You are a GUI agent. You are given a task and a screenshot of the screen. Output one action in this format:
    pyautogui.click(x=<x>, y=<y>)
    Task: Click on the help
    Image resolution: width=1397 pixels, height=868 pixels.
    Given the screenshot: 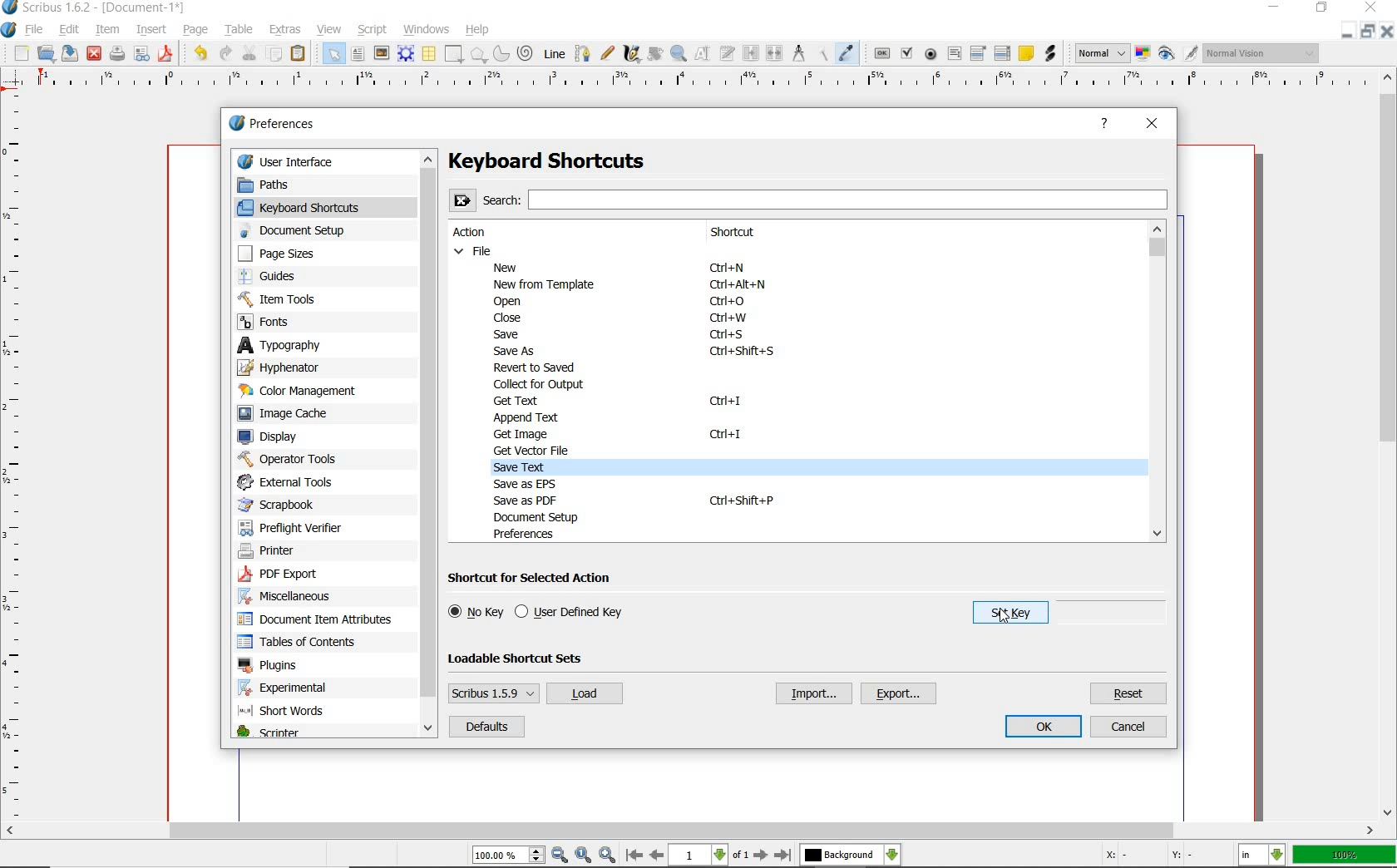 What is the action you would take?
    pyautogui.click(x=1104, y=124)
    